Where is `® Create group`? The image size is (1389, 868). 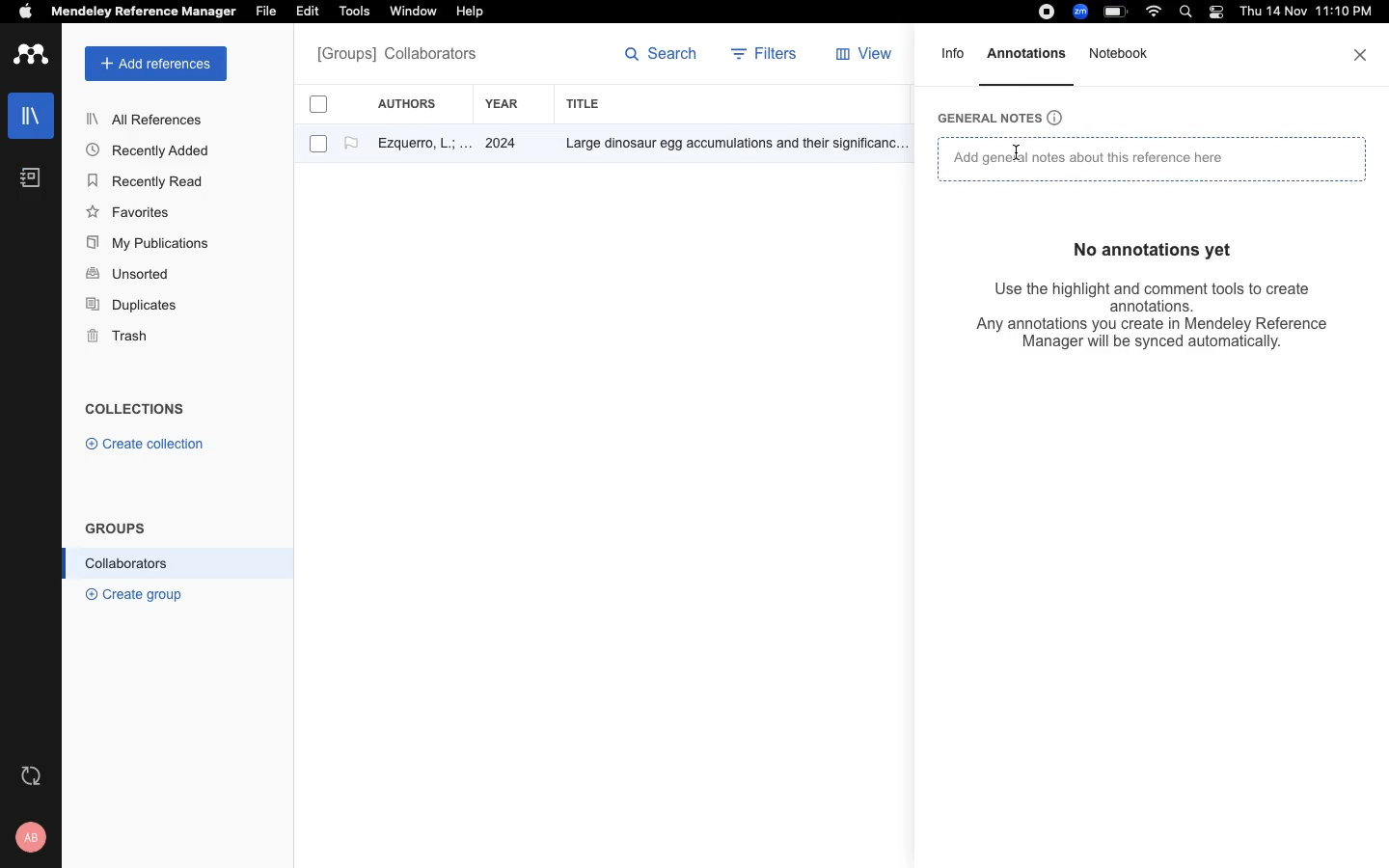
® Create group is located at coordinates (130, 593).